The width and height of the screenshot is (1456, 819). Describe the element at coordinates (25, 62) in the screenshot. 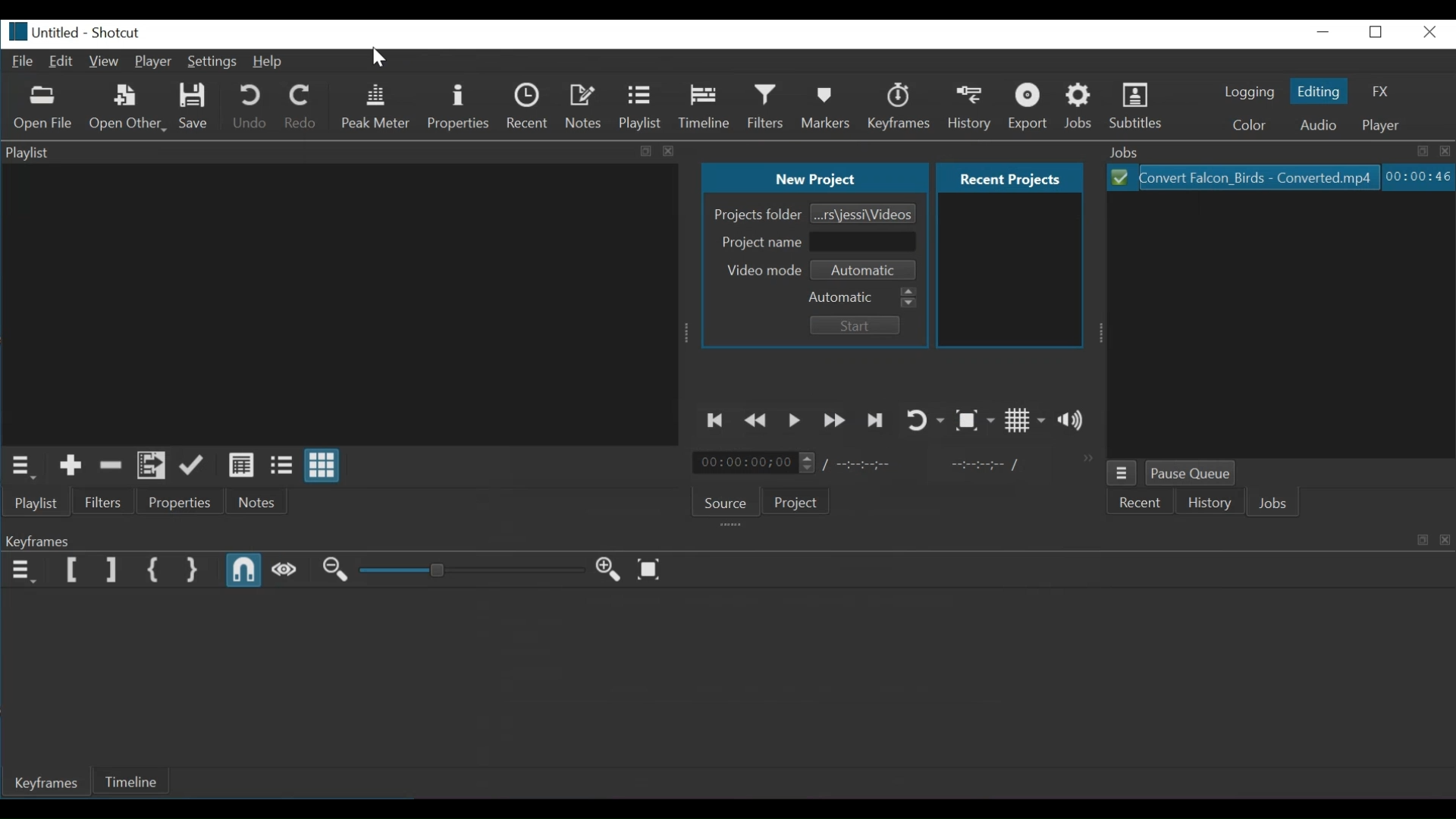

I see `File` at that location.